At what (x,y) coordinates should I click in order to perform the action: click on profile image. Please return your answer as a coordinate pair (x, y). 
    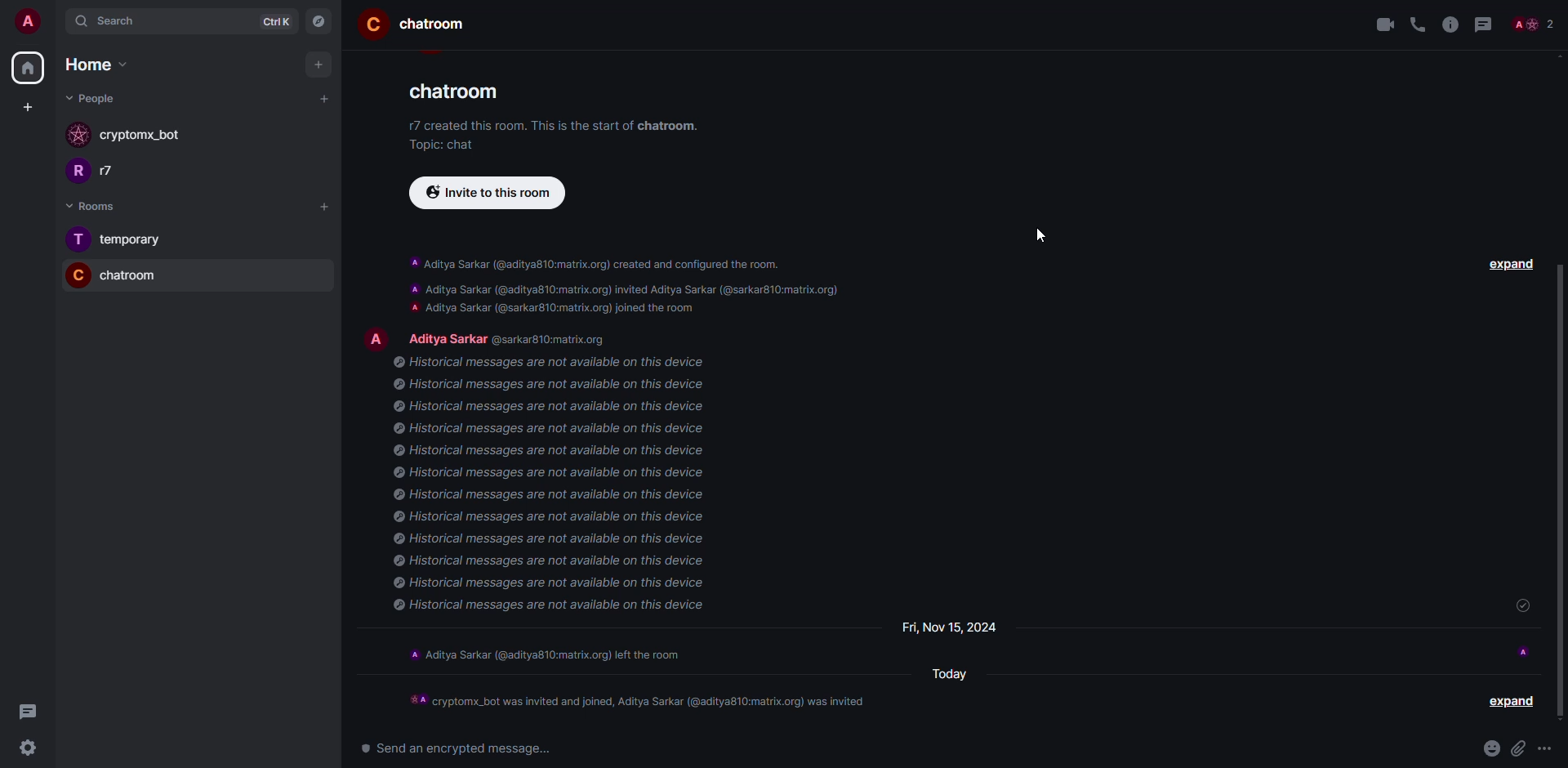
    Looking at the image, I should click on (78, 135).